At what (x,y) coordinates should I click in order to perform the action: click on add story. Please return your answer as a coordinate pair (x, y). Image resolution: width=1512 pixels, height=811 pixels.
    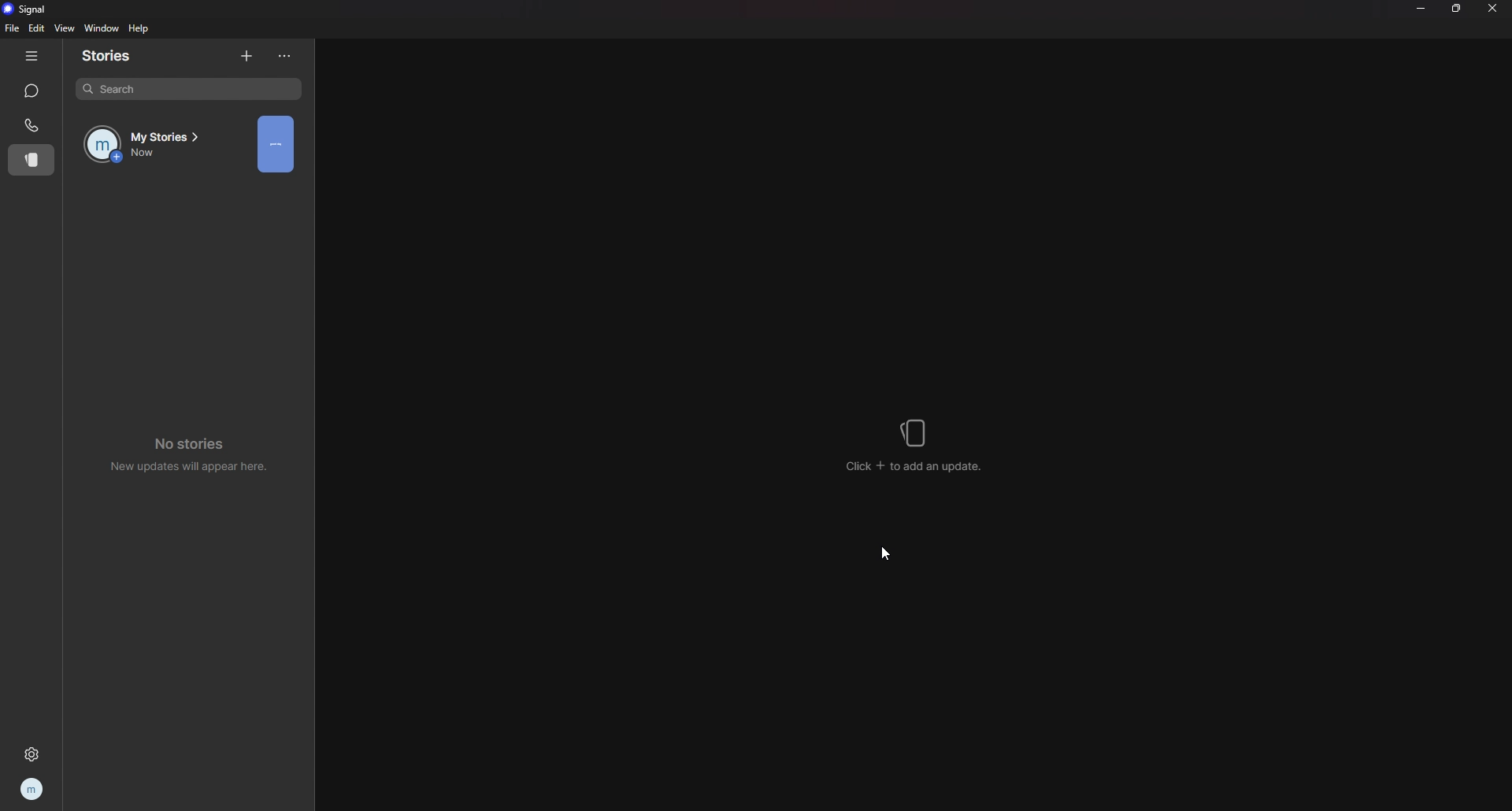
    Looking at the image, I should click on (248, 55).